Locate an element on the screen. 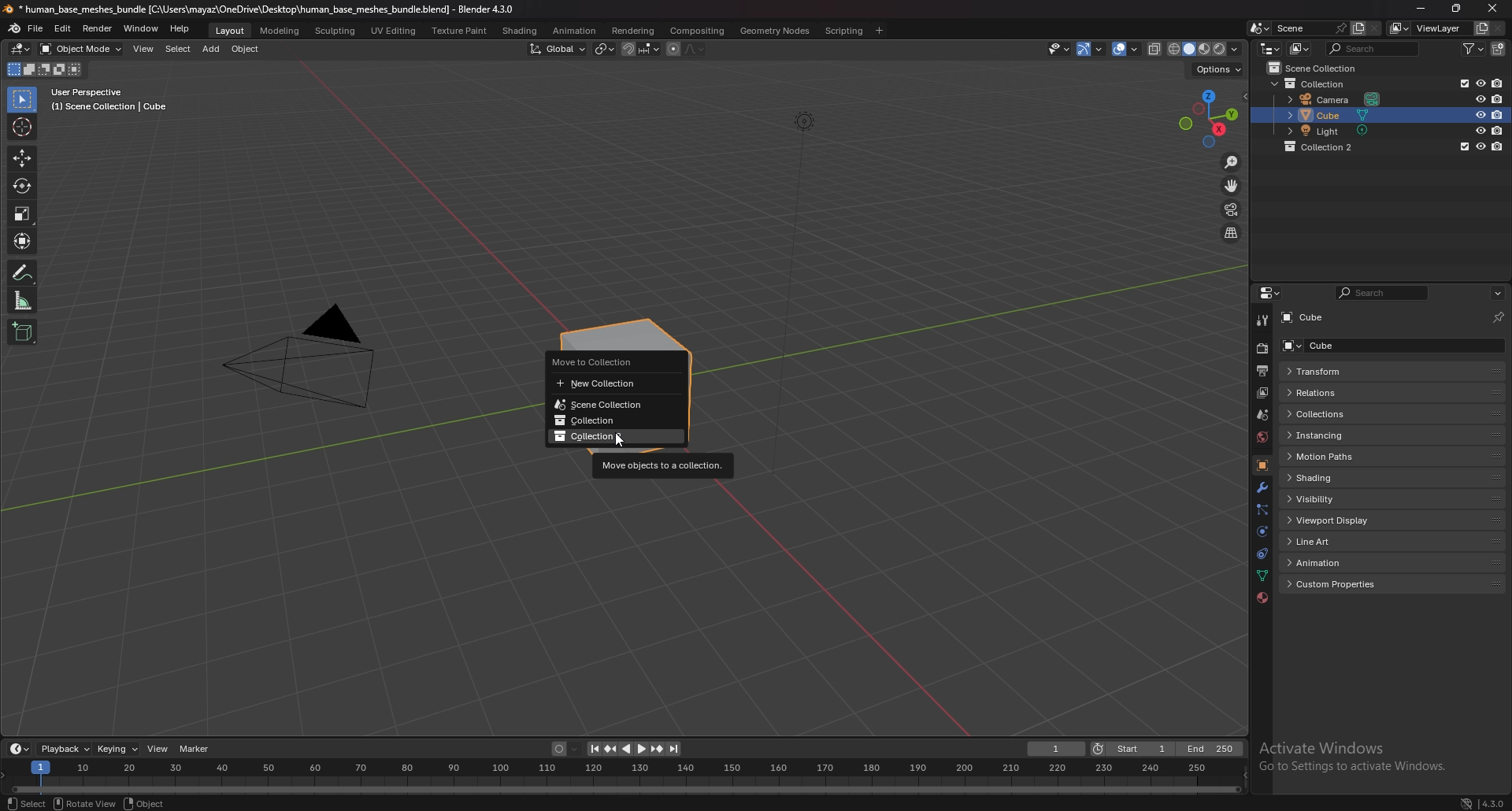 The image size is (1512, 811). visibility is located at coordinates (1332, 499).